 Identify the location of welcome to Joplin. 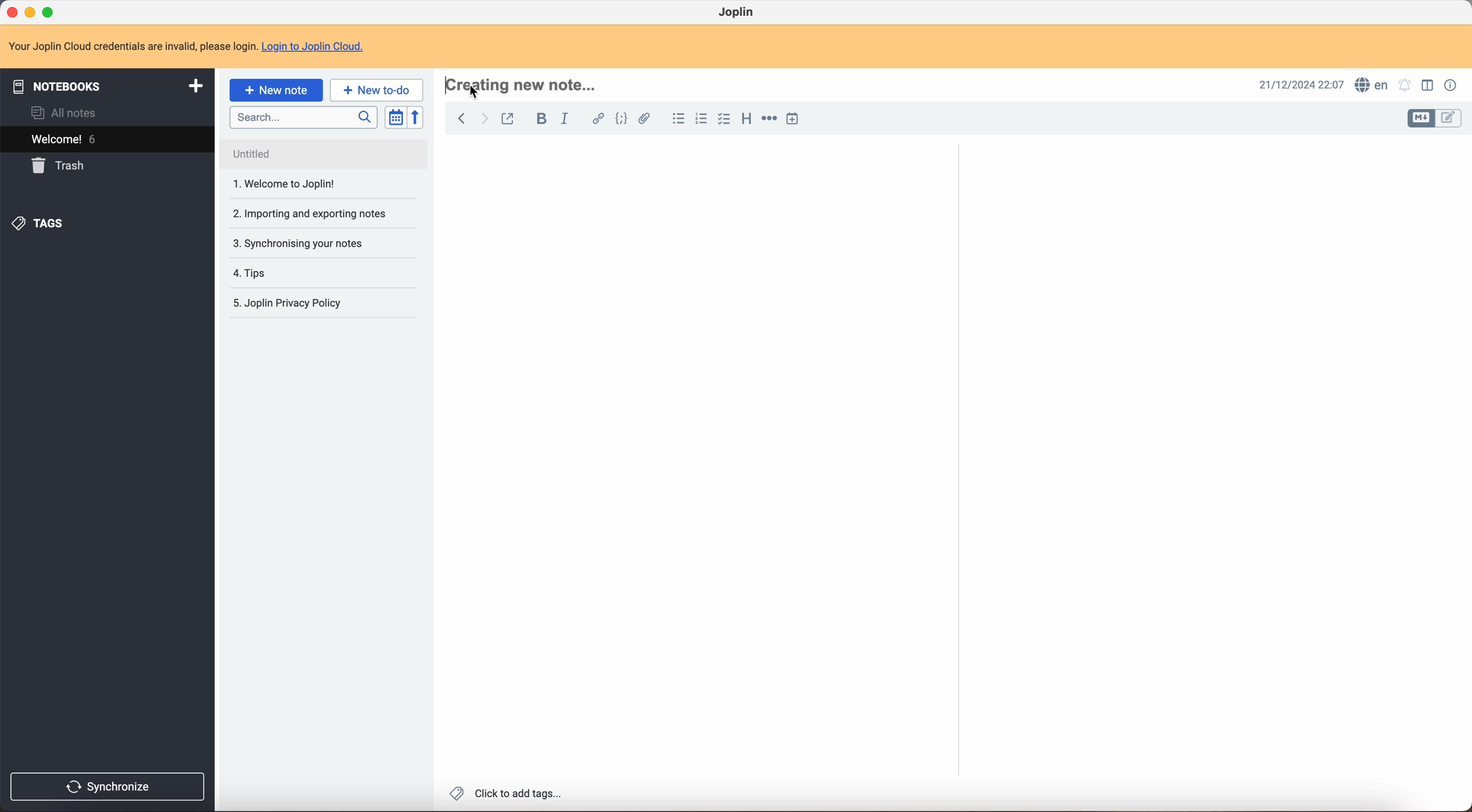
(287, 155).